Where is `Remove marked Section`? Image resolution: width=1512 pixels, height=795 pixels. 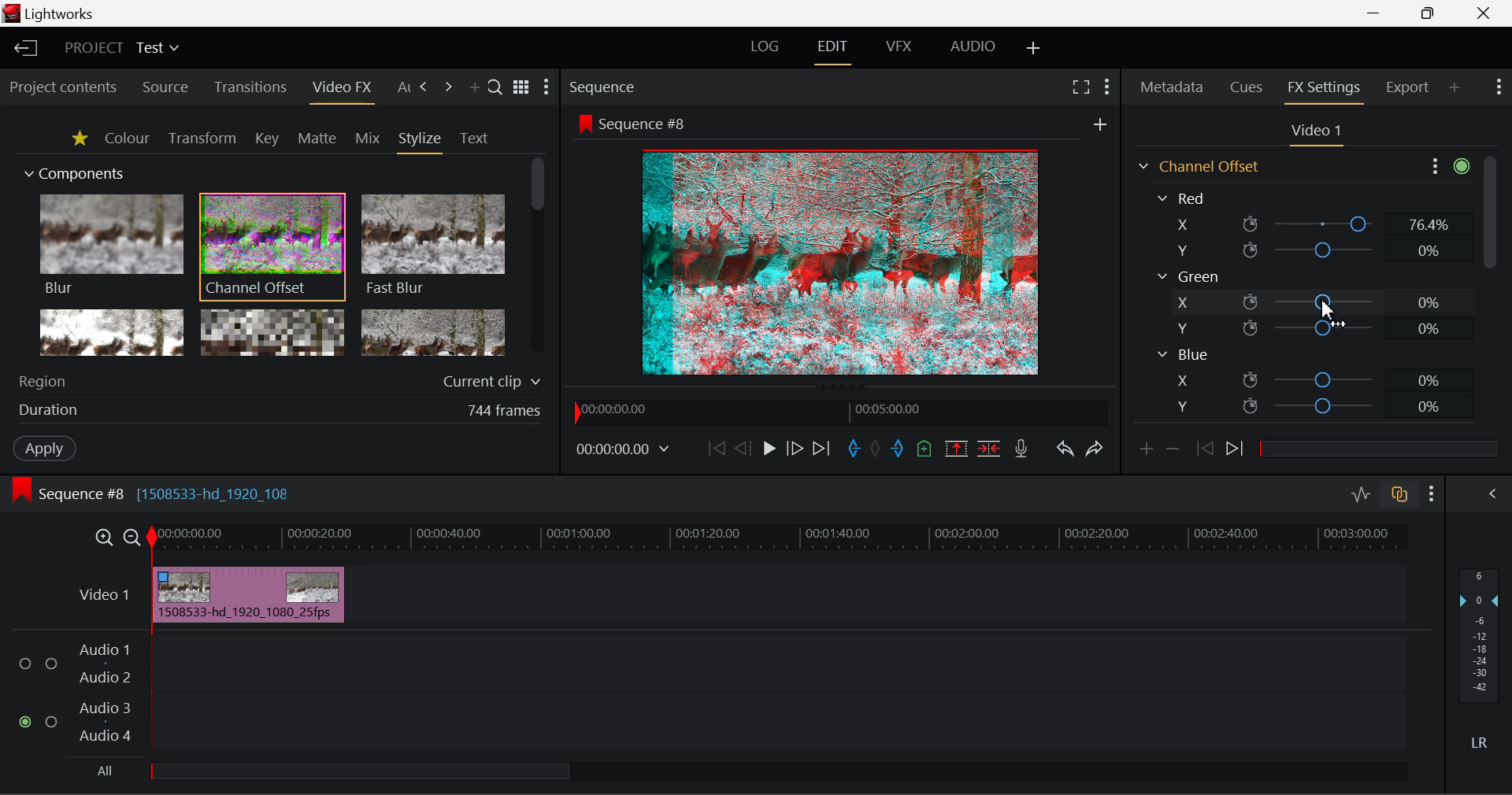
Remove marked Section is located at coordinates (959, 449).